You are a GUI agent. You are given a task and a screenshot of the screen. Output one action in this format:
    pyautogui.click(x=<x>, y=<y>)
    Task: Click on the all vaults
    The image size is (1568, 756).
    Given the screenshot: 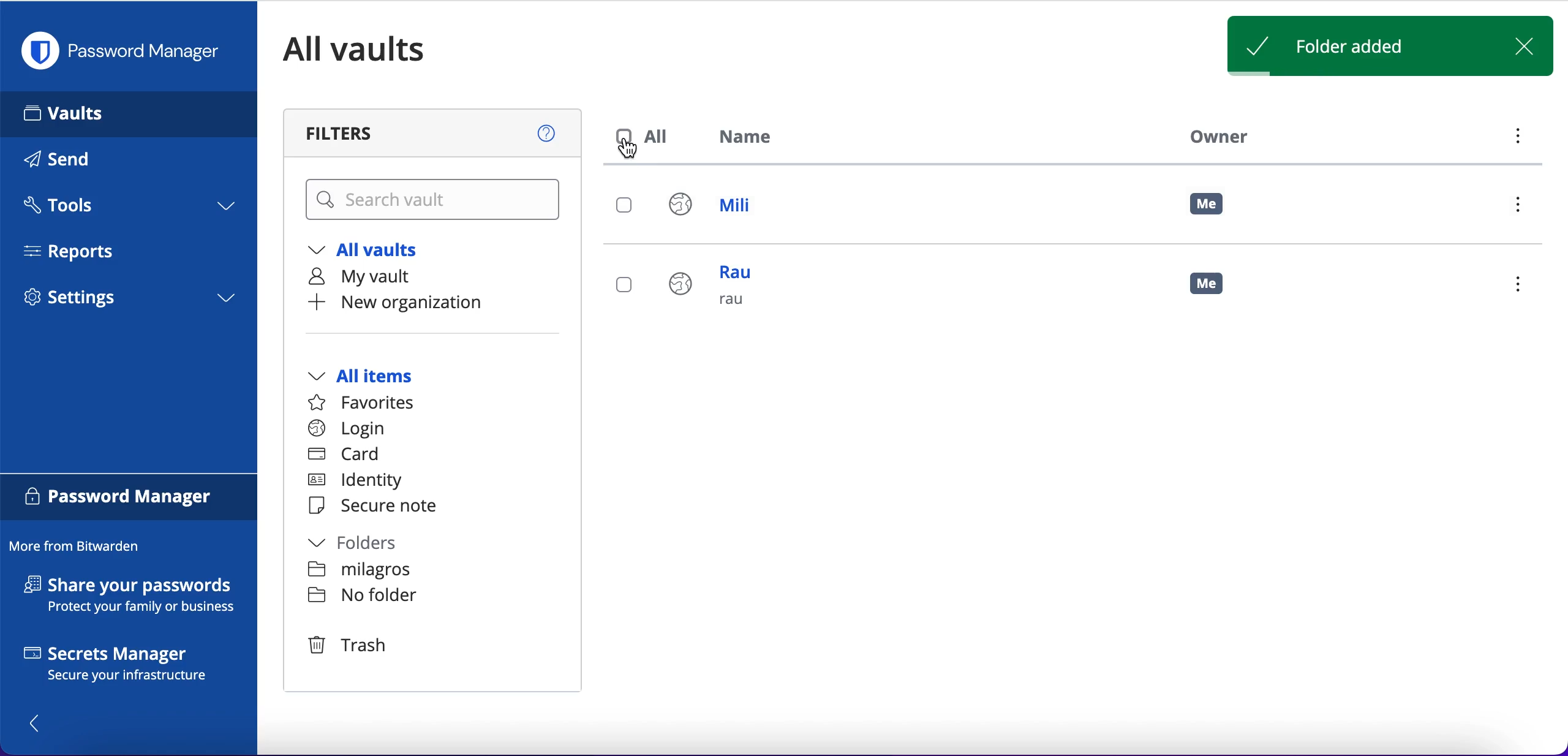 What is the action you would take?
    pyautogui.click(x=372, y=252)
    